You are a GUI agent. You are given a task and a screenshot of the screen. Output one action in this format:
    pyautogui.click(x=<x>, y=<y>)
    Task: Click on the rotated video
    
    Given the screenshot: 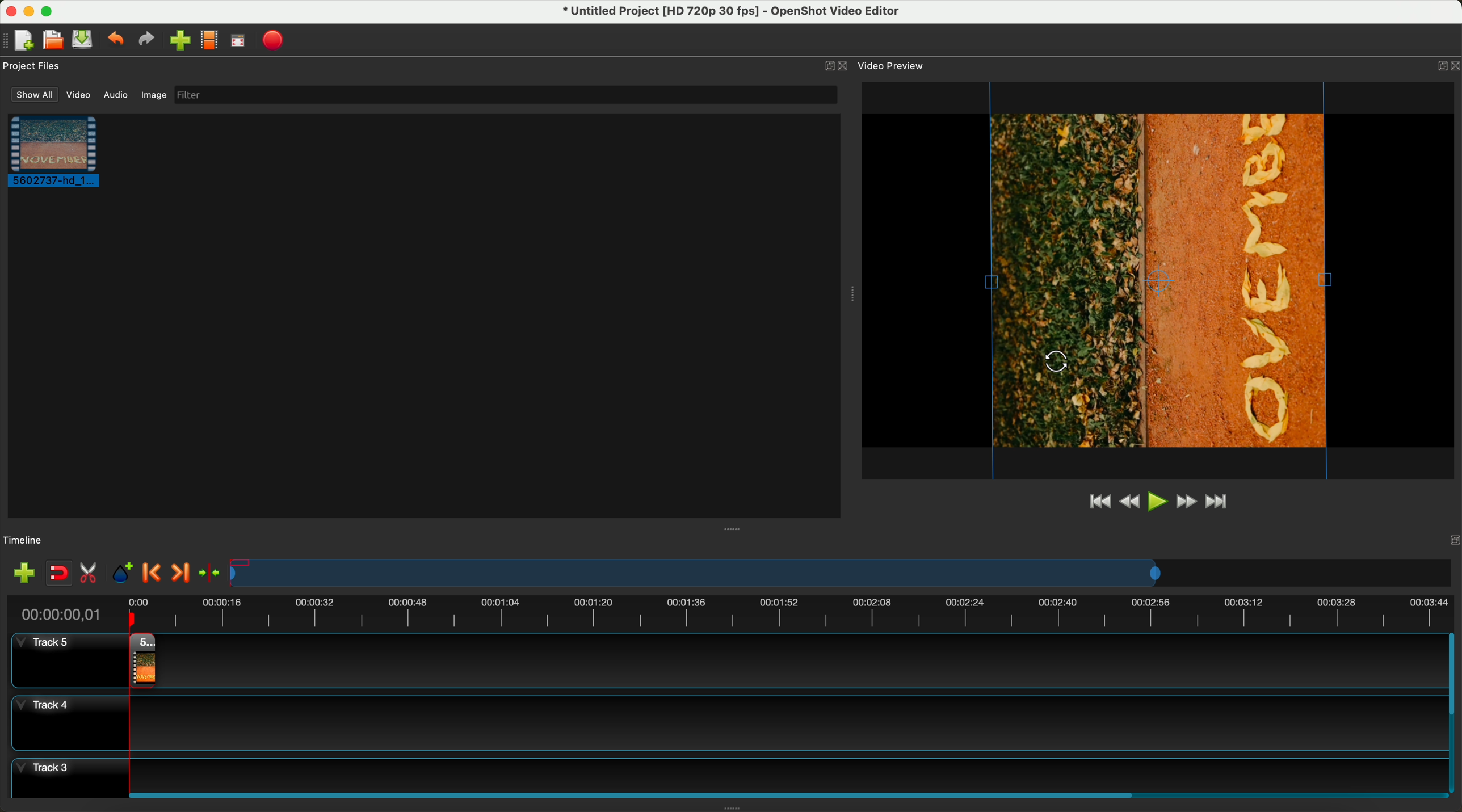 What is the action you would take?
    pyautogui.click(x=1159, y=280)
    